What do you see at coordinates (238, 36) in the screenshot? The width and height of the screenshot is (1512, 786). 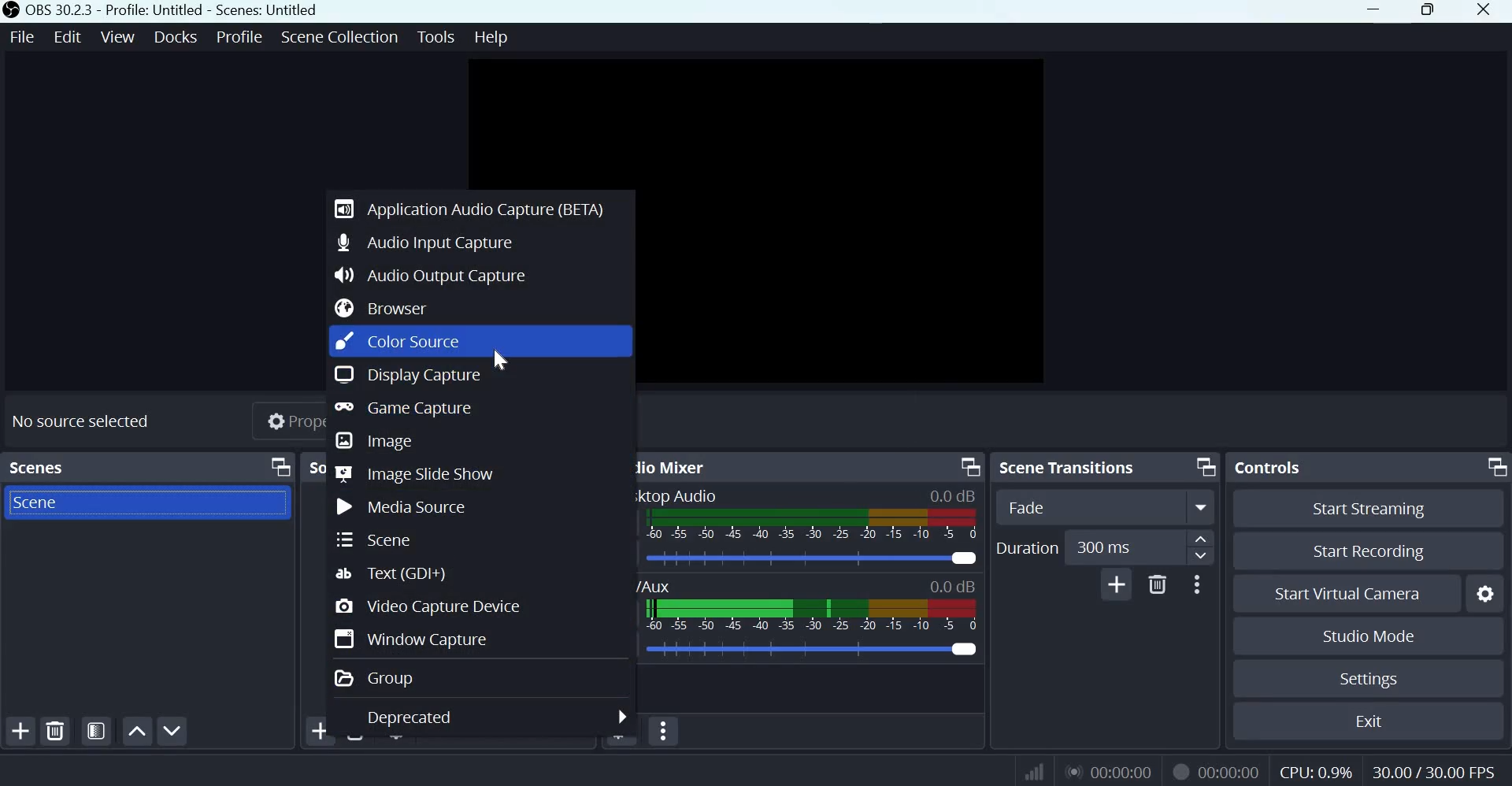 I see `Profile` at bounding box center [238, 36].